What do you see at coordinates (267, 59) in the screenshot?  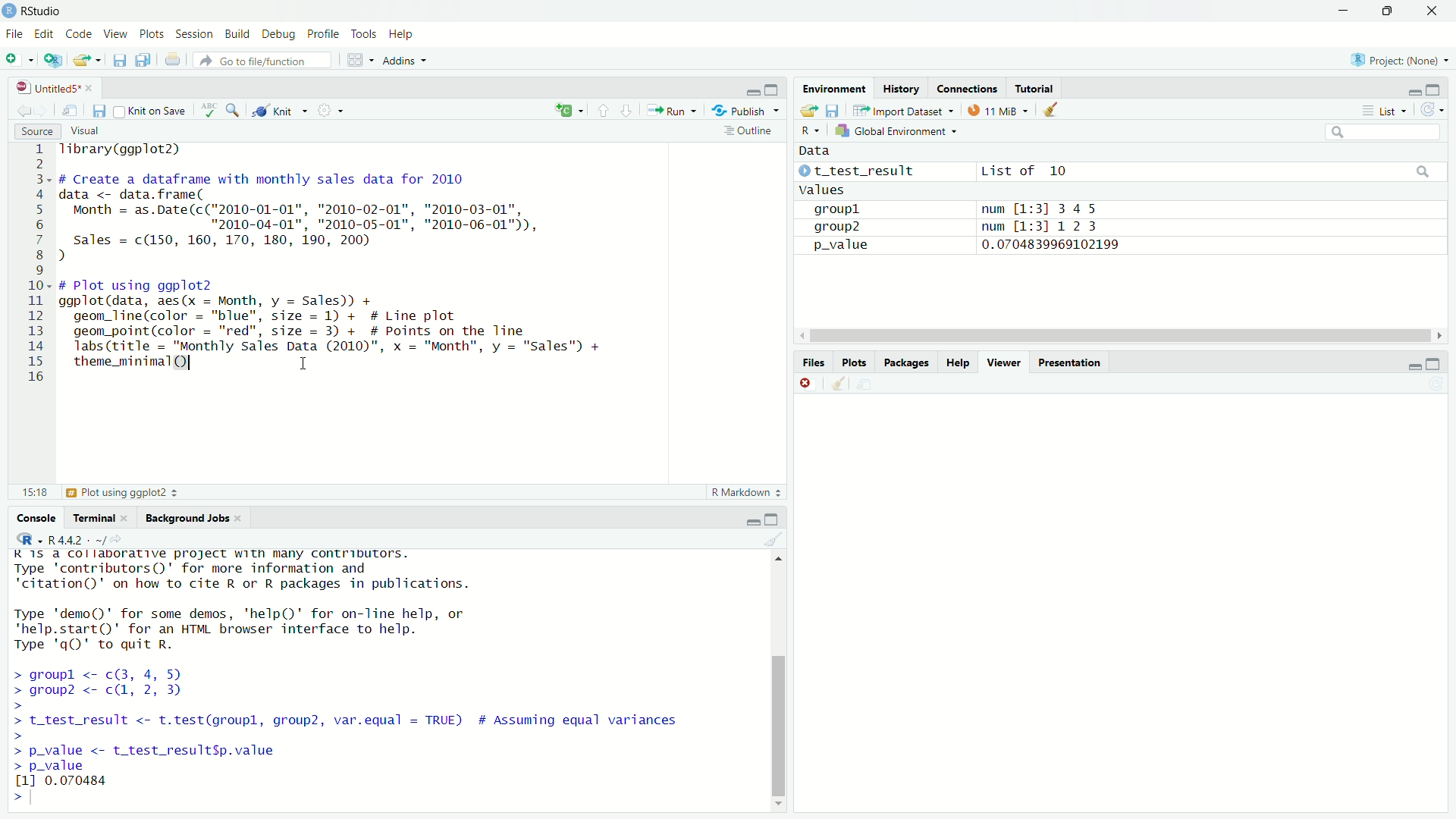 I see `Go to file/function` at bounding box center [267, 59].